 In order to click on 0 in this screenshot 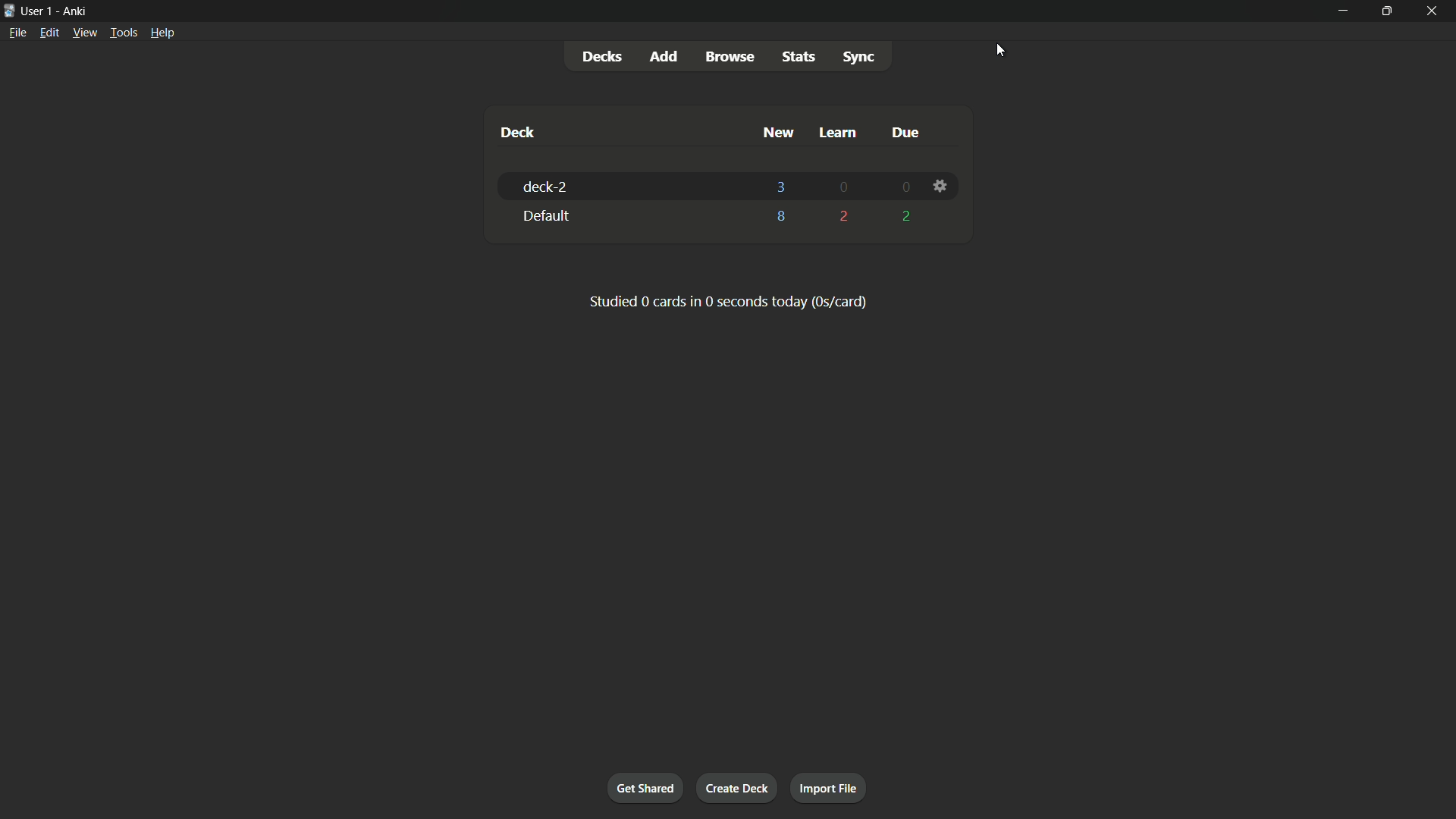, I will do `click(902, 188)`.